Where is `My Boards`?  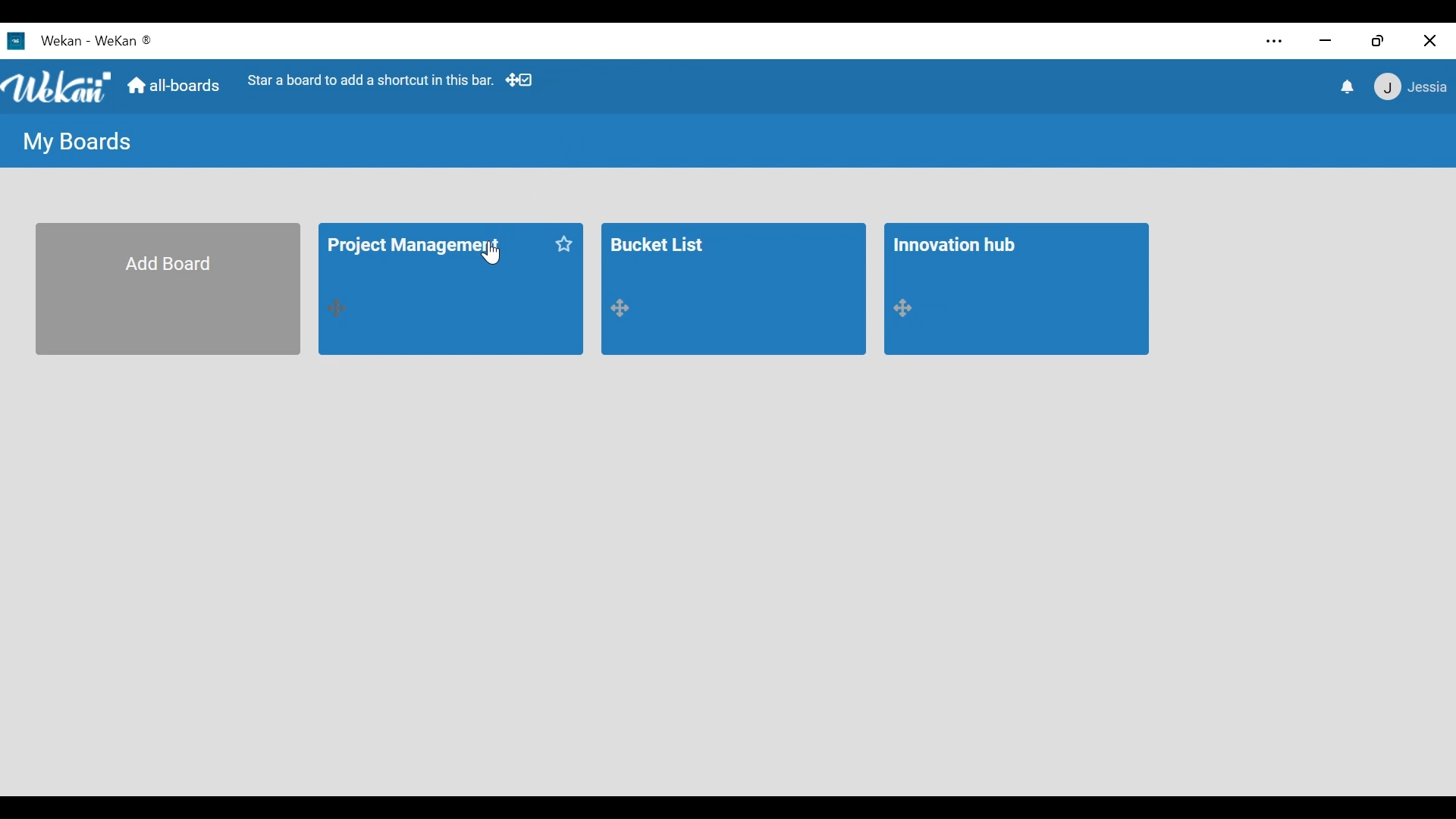
My Boards is located at coordinates (79, 143).